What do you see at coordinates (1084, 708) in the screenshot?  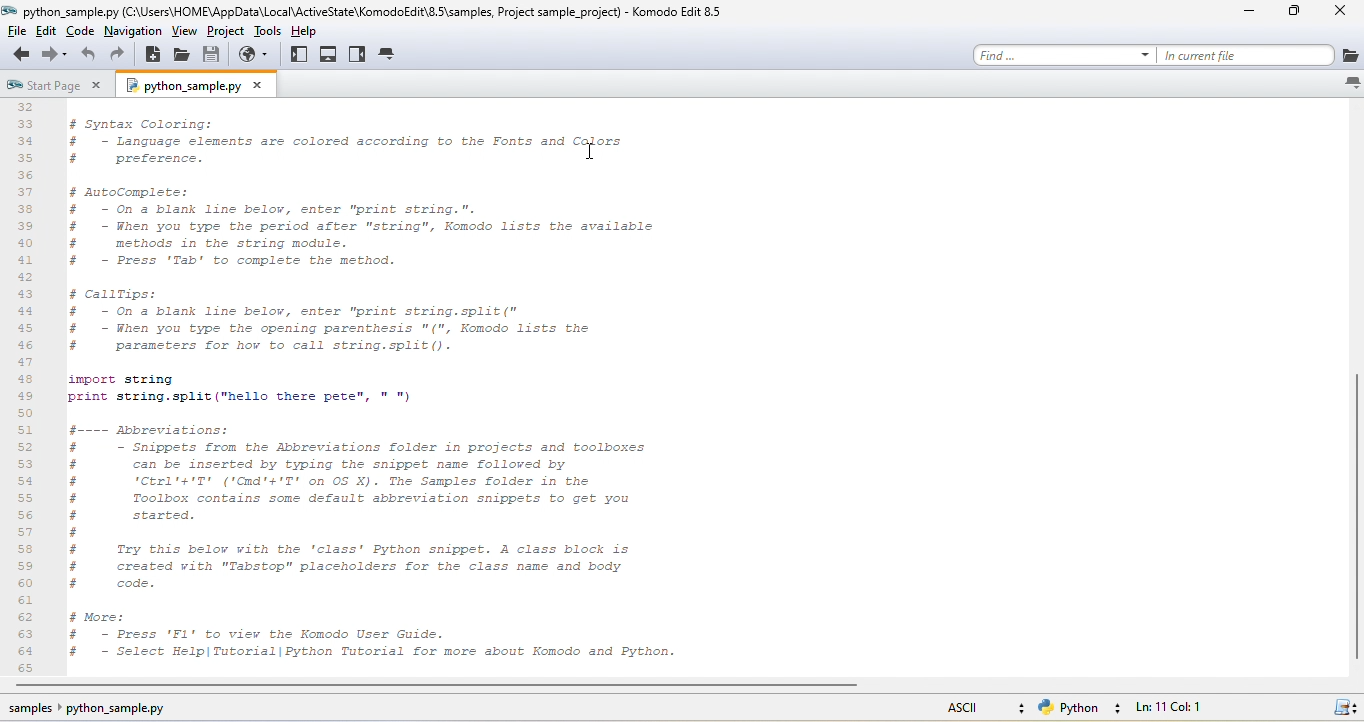 I see `python` at bounding box center [1084, 708].